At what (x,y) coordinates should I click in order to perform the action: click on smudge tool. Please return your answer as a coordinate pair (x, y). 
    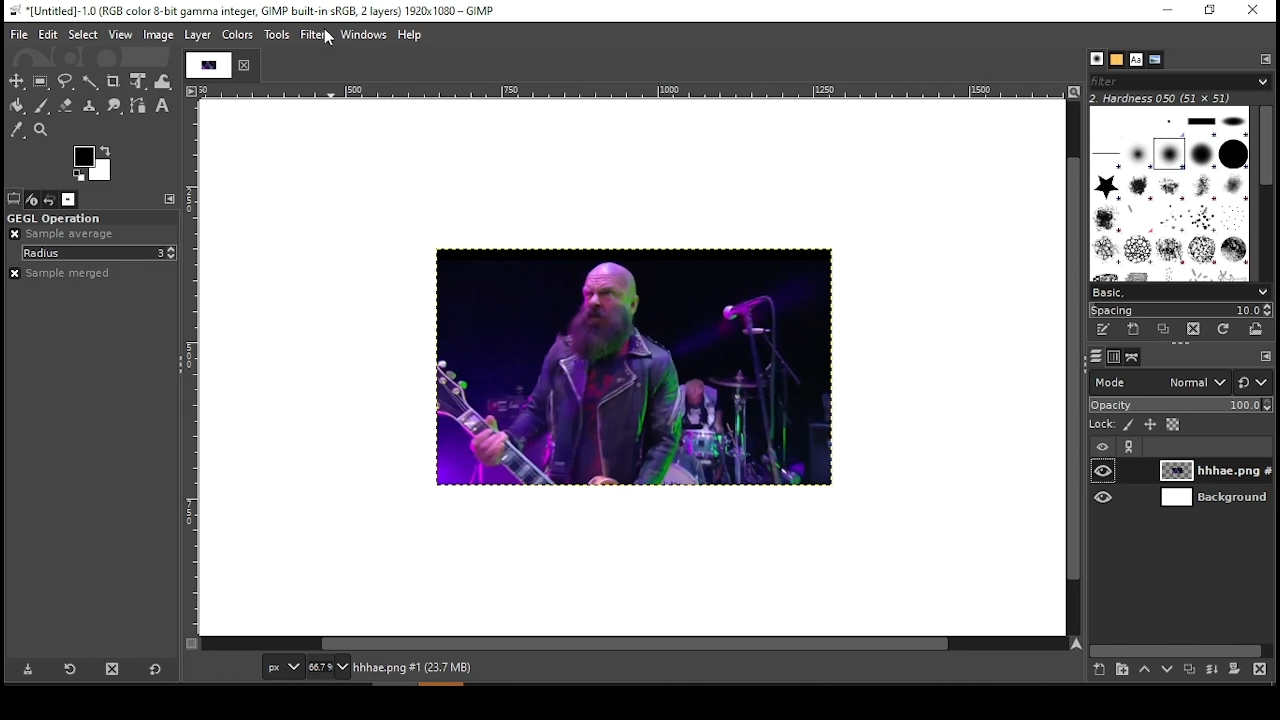
    Looking at the image, I should click on (114, 107).